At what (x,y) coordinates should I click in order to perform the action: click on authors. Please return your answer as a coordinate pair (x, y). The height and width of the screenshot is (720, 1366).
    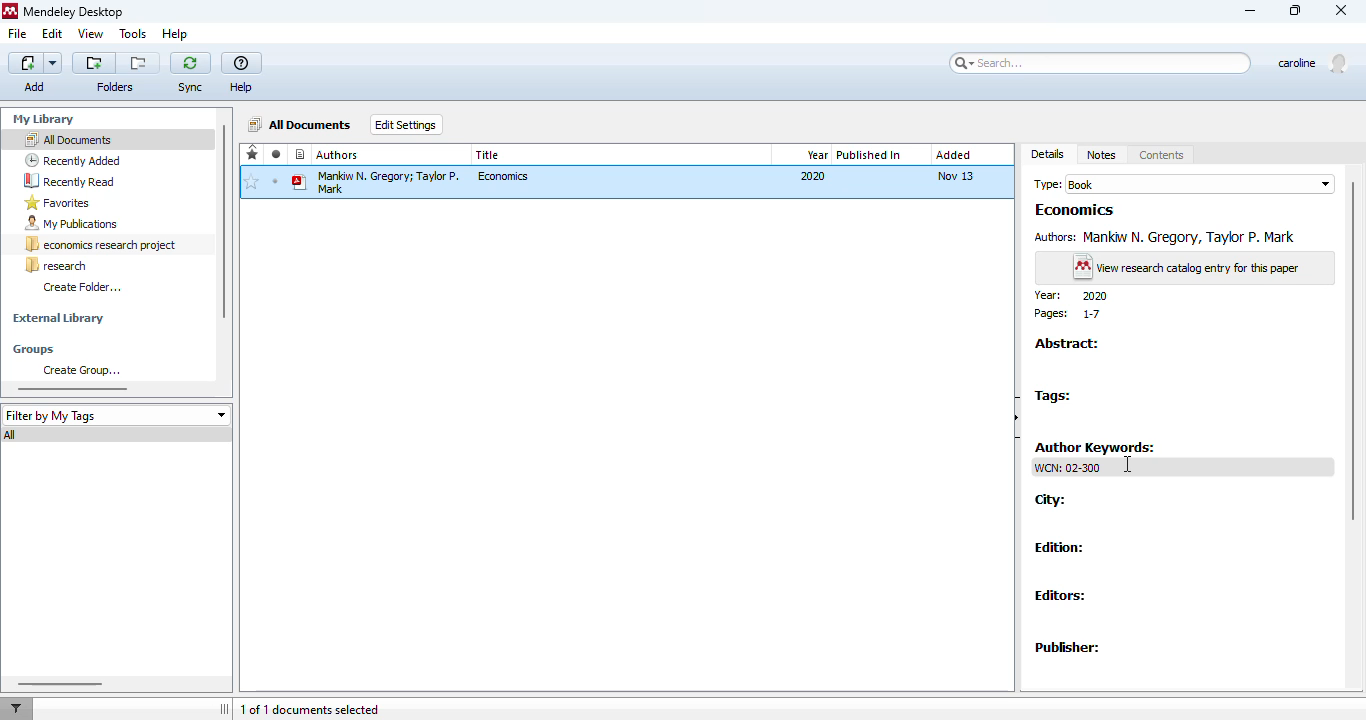
    Looking at the image, I should click on (338, 155).